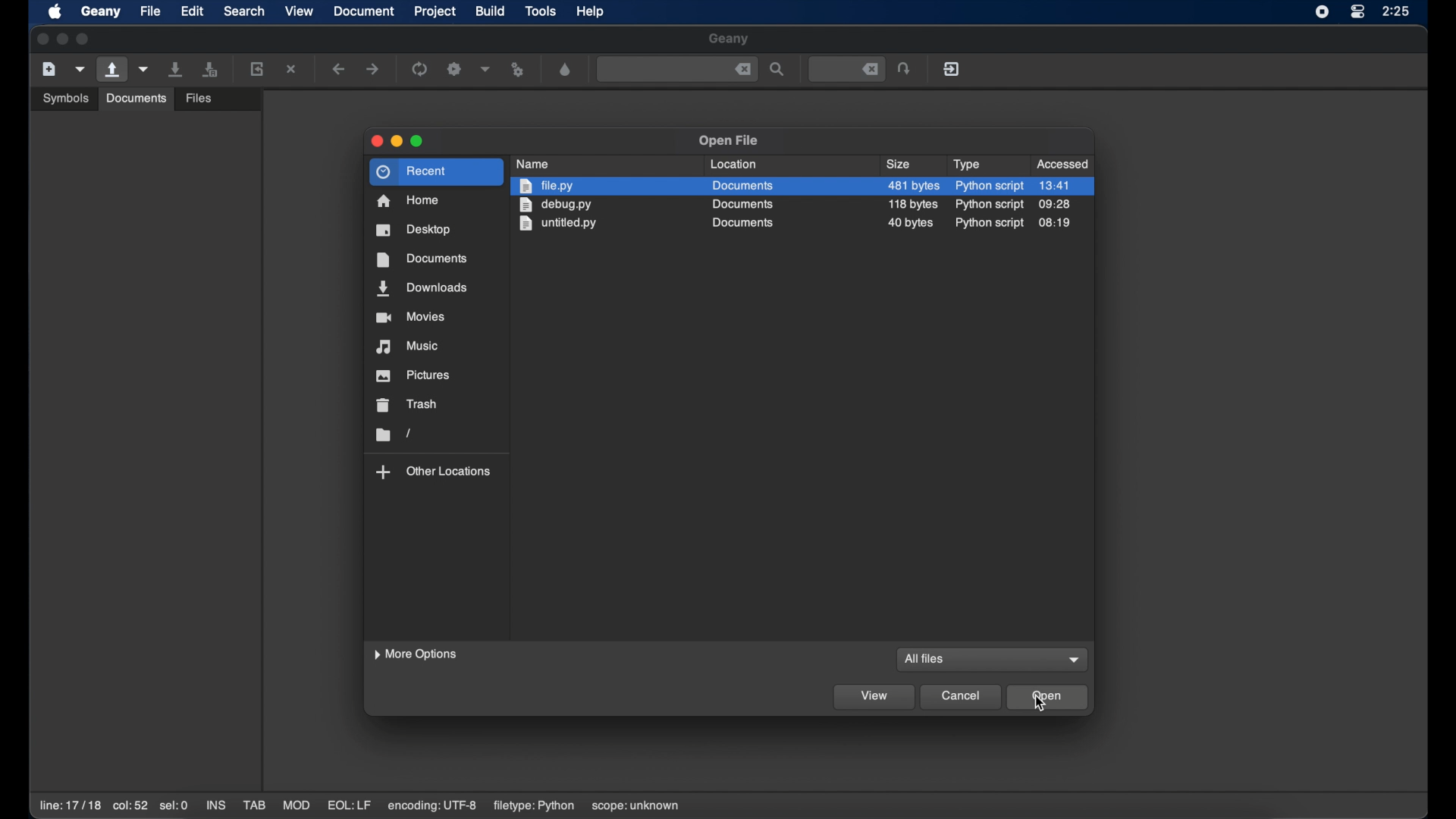 This screenshot has width=1456, height=819. I want to click on find the entered text in the current file, so click(676, 69).